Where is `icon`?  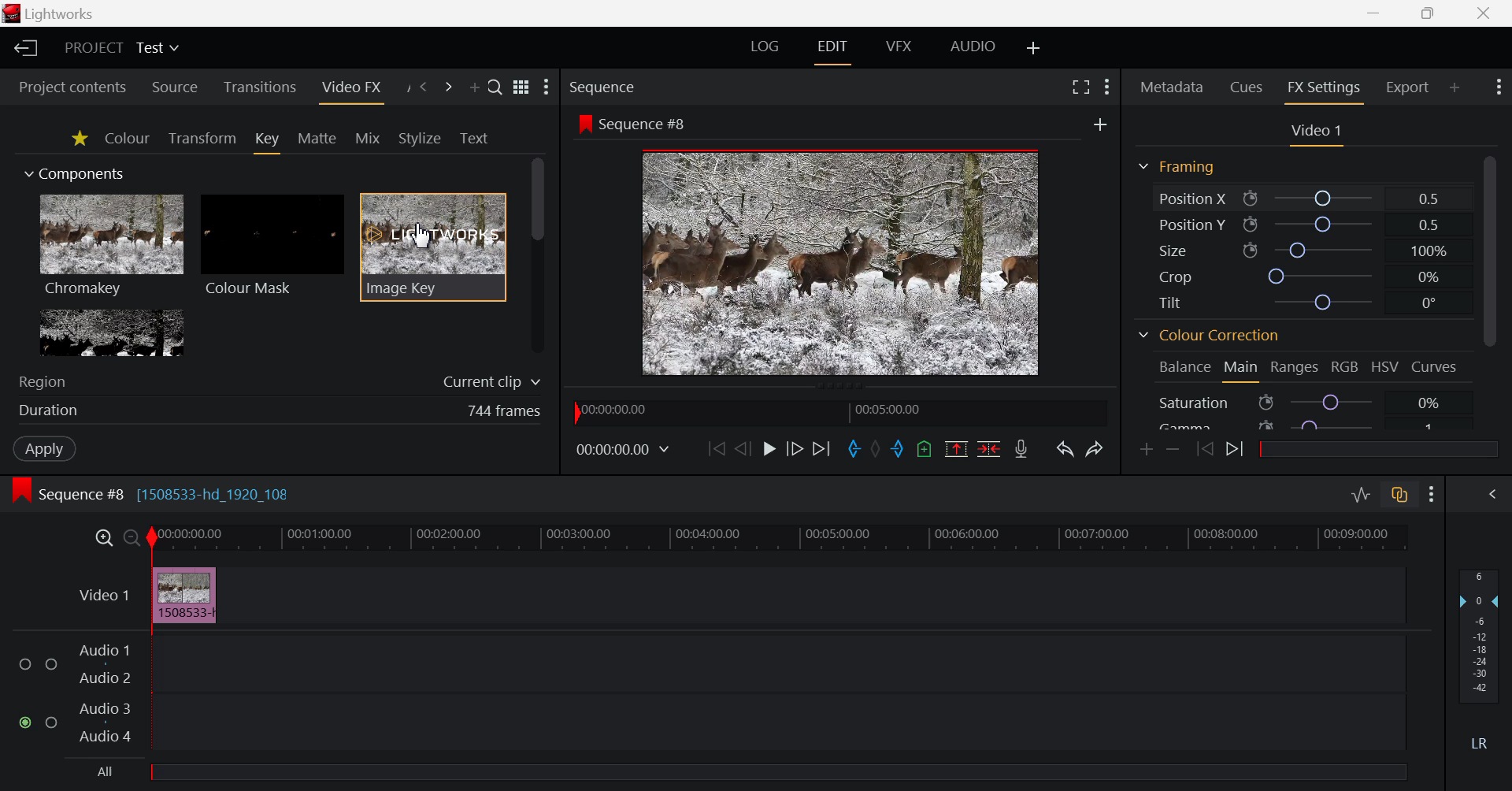 icon is located at coordinates (1266, 402).